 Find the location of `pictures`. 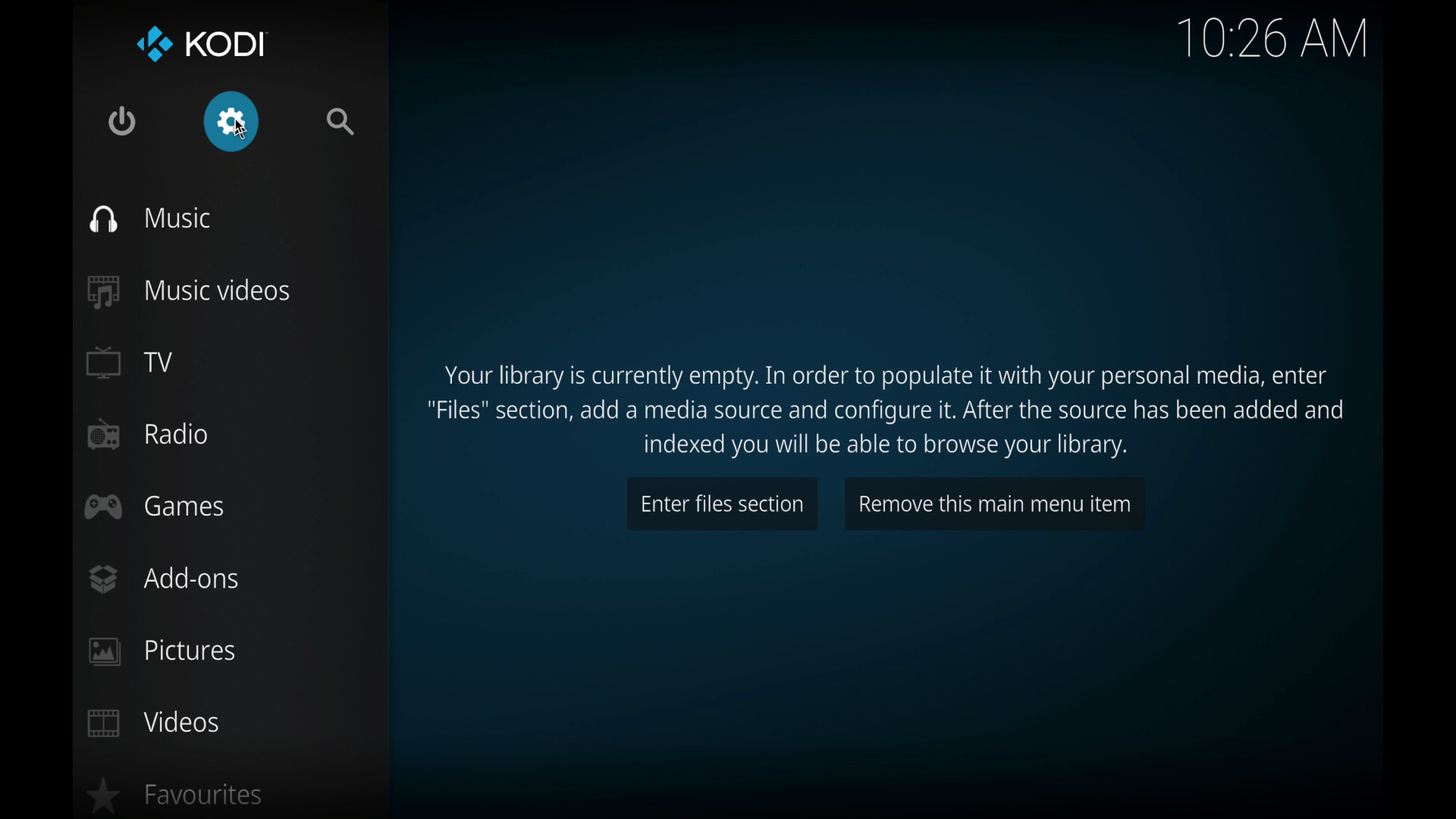

pictures is located at coordinates (162, 652).